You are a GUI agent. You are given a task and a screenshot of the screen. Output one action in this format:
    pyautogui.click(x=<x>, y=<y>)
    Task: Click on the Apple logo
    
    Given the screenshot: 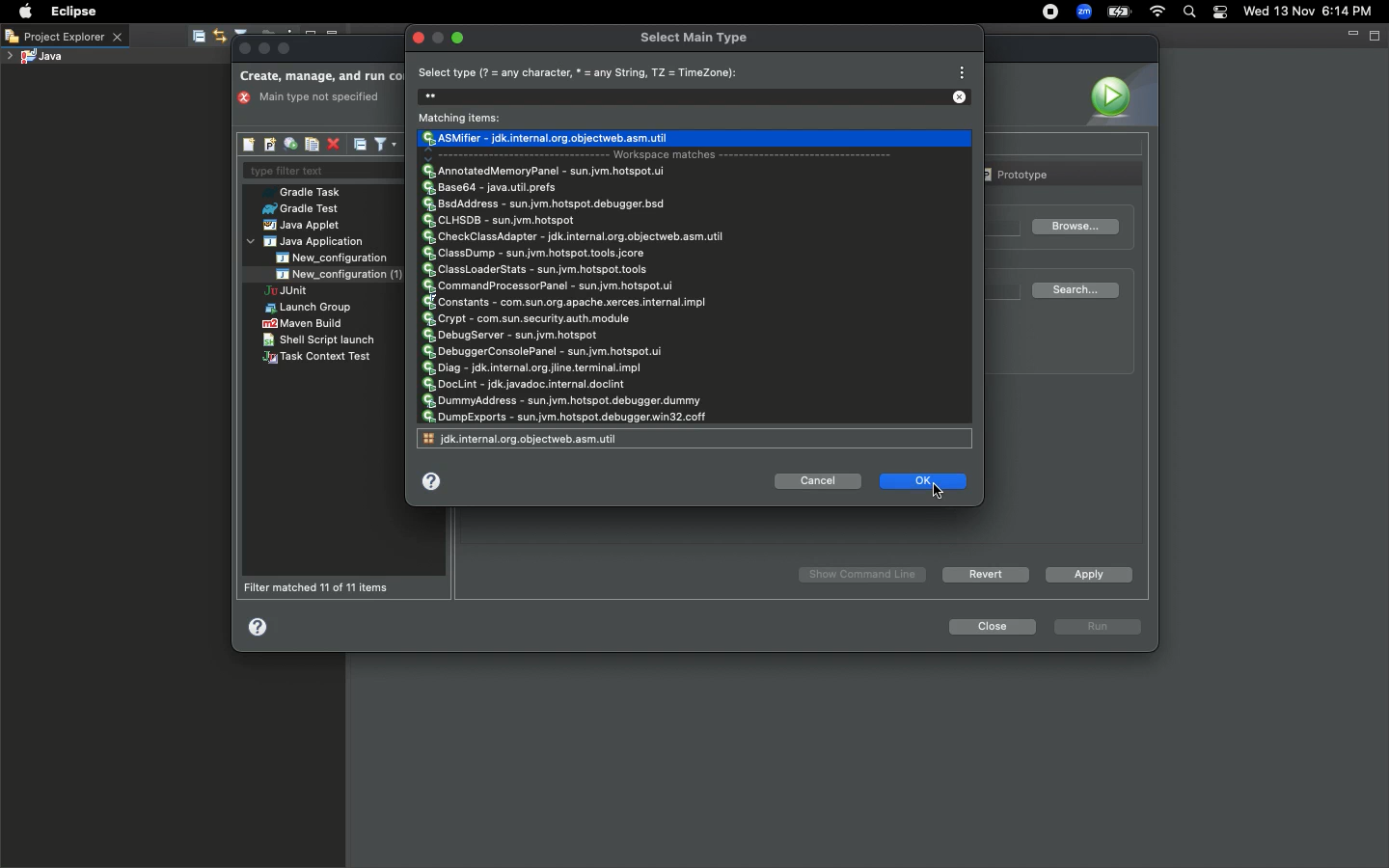 What is the action you would take?
    pyautogui.click(x=23, y=12)
    